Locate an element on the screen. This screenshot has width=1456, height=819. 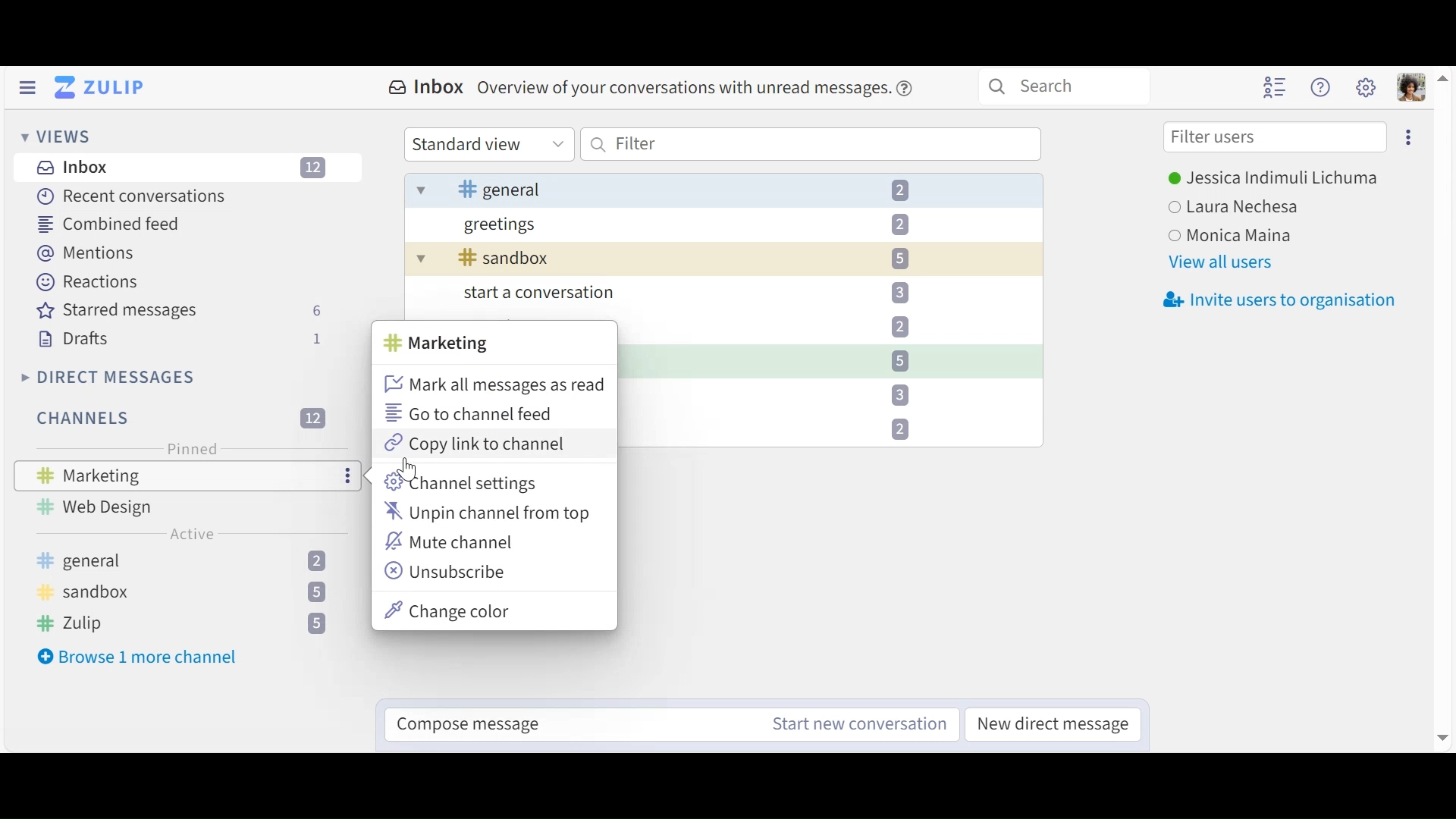
start a conversation is located at coordinates (714, 296).